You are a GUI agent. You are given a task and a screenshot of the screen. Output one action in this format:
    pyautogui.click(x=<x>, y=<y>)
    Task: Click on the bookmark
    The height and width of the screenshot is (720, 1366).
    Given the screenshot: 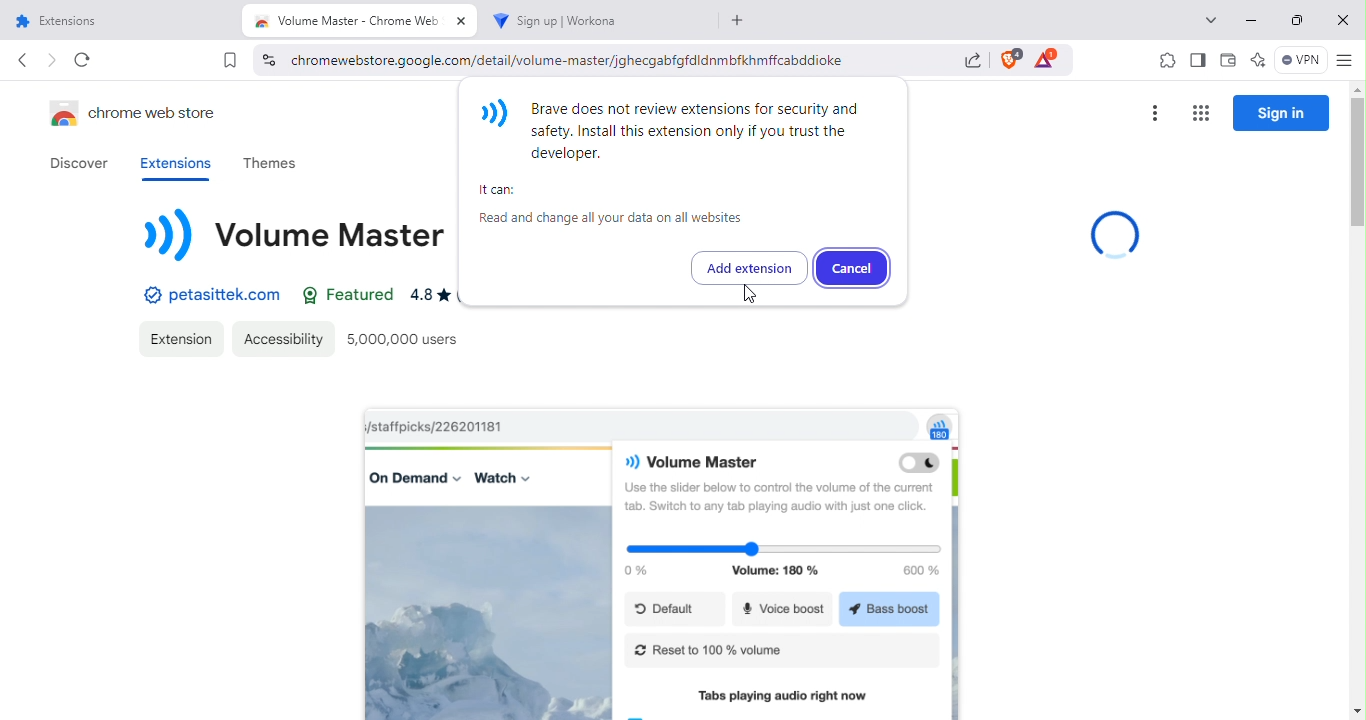 What is the action you would take?
    pyautogui.click(x=231, y=63)
    